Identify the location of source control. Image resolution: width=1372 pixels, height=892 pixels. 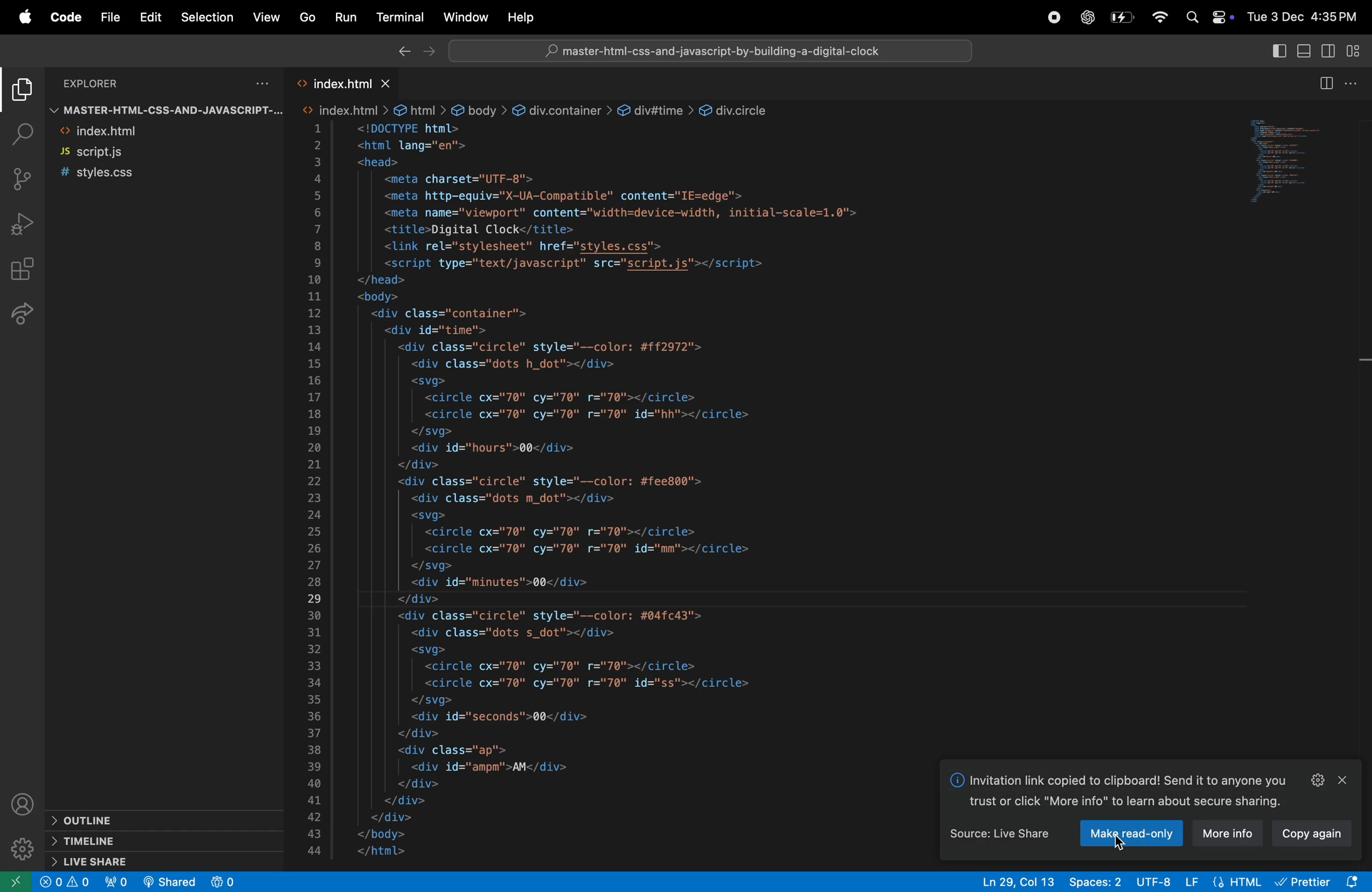
(26, 177).